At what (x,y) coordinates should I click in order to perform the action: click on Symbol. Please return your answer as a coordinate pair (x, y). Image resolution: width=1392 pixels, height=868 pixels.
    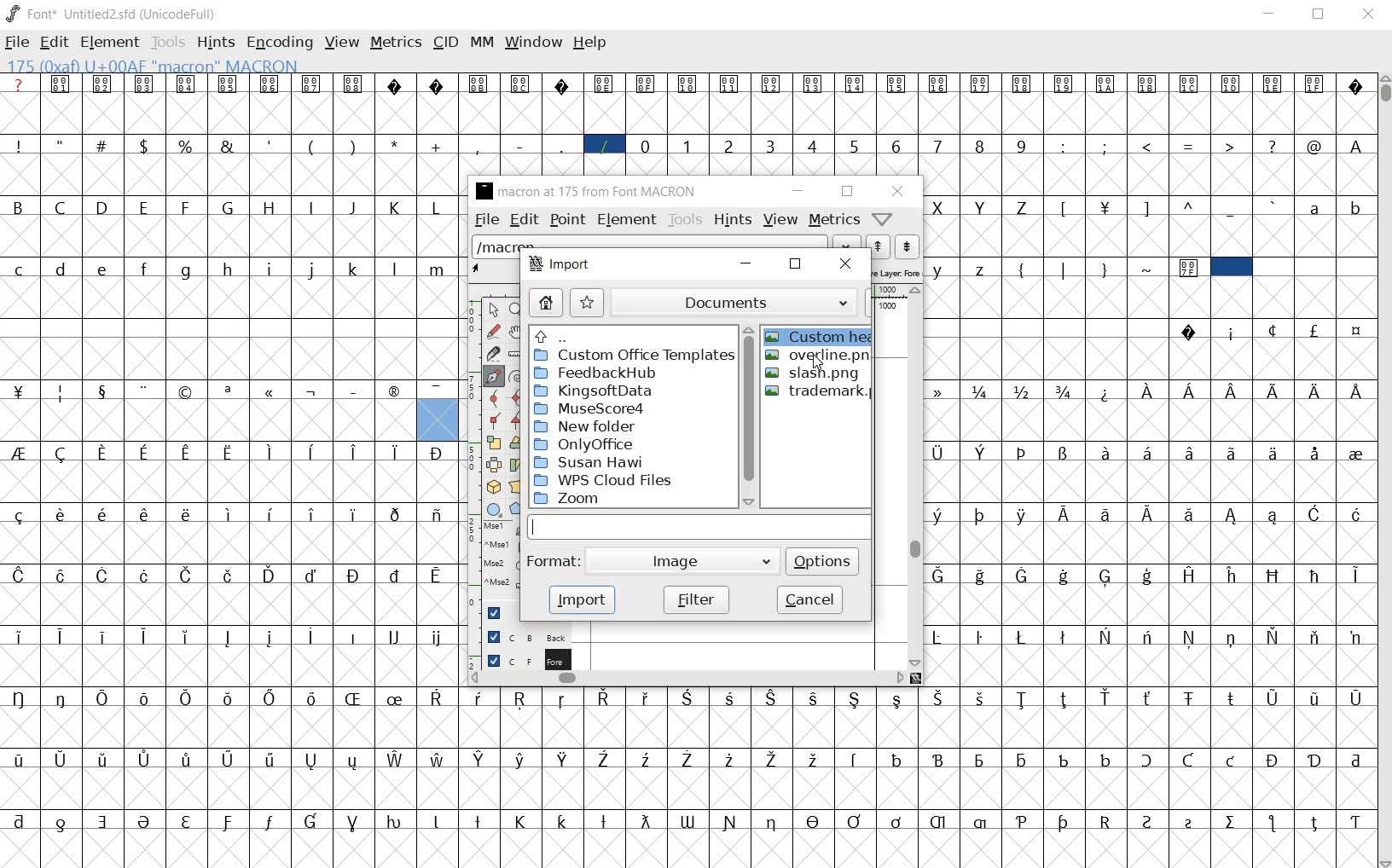
    Looking at the image, I should click on (393, 638).